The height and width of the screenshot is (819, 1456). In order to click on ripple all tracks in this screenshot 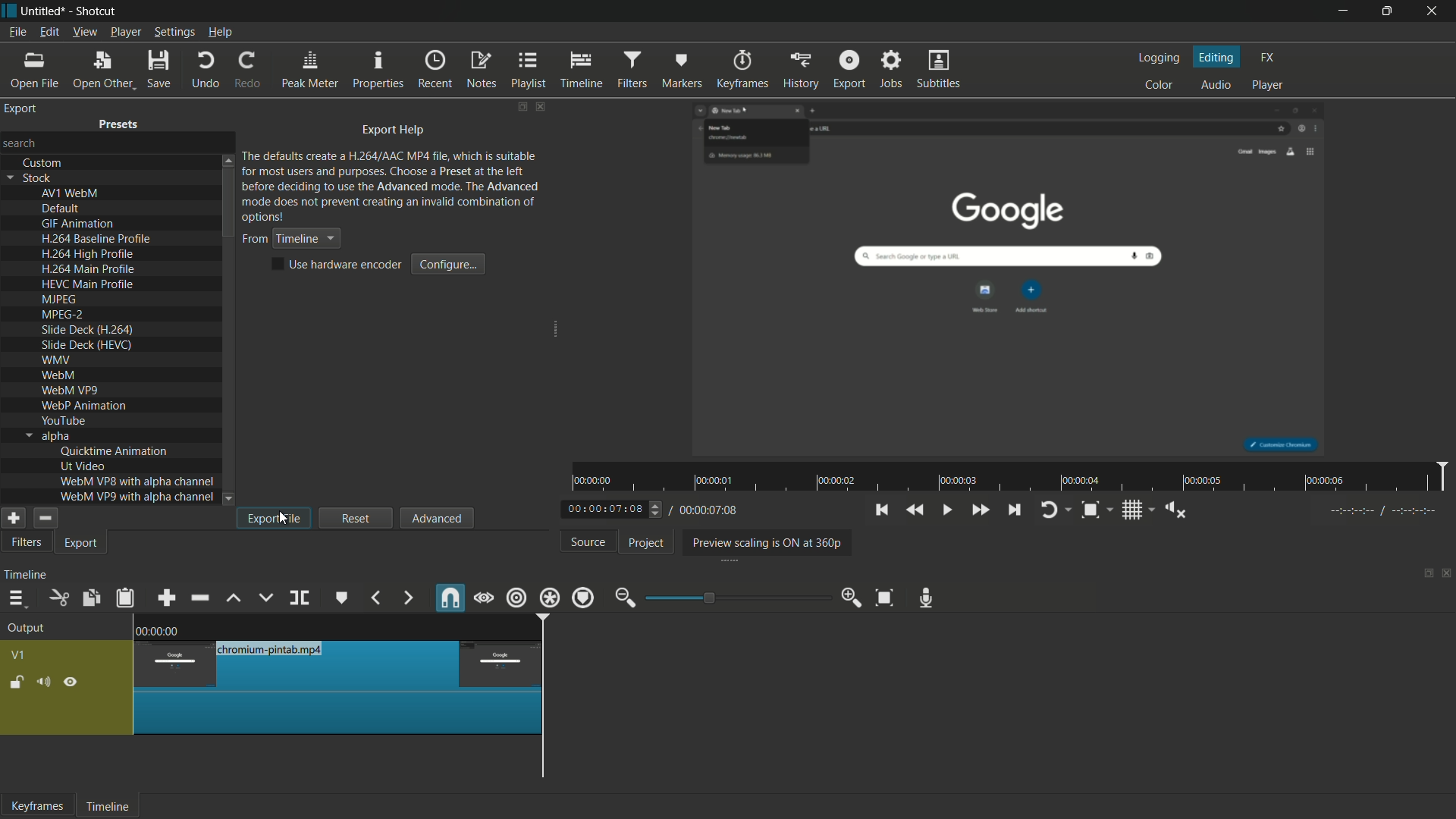, I will do `click(548, 598)`.